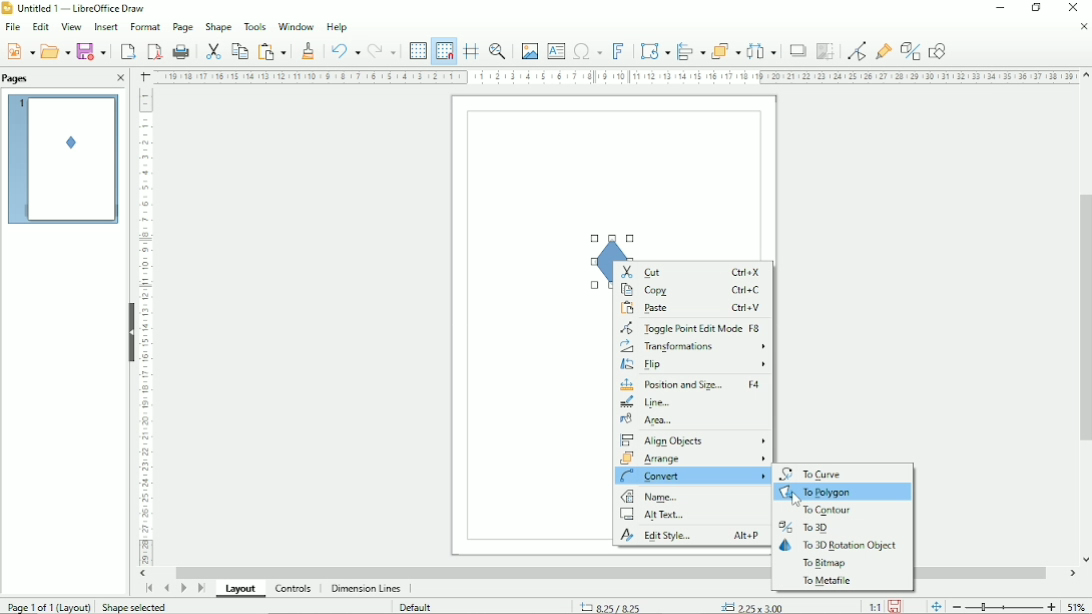  Describe the element at coordinates (693, 348) in the screenshot. I see `Transformations` at that location.